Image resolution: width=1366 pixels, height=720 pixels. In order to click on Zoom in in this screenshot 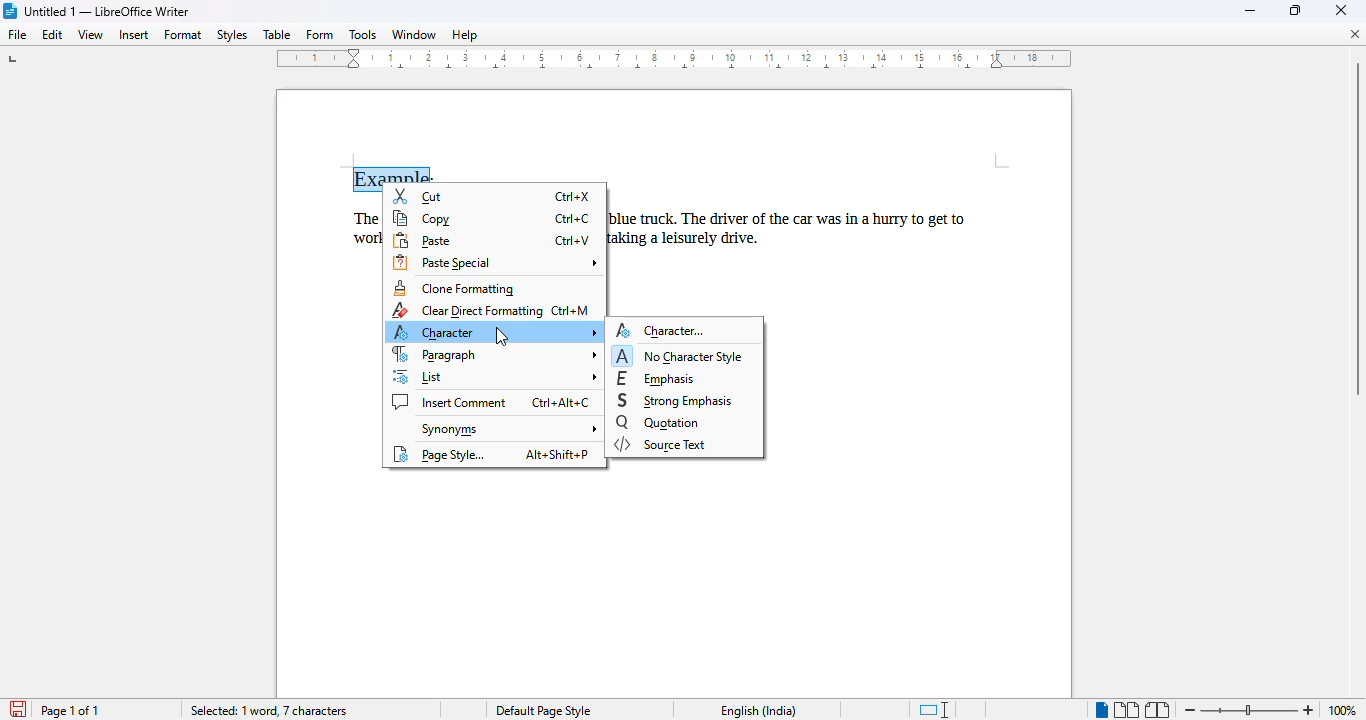, I will do `click(1310, 707)`.